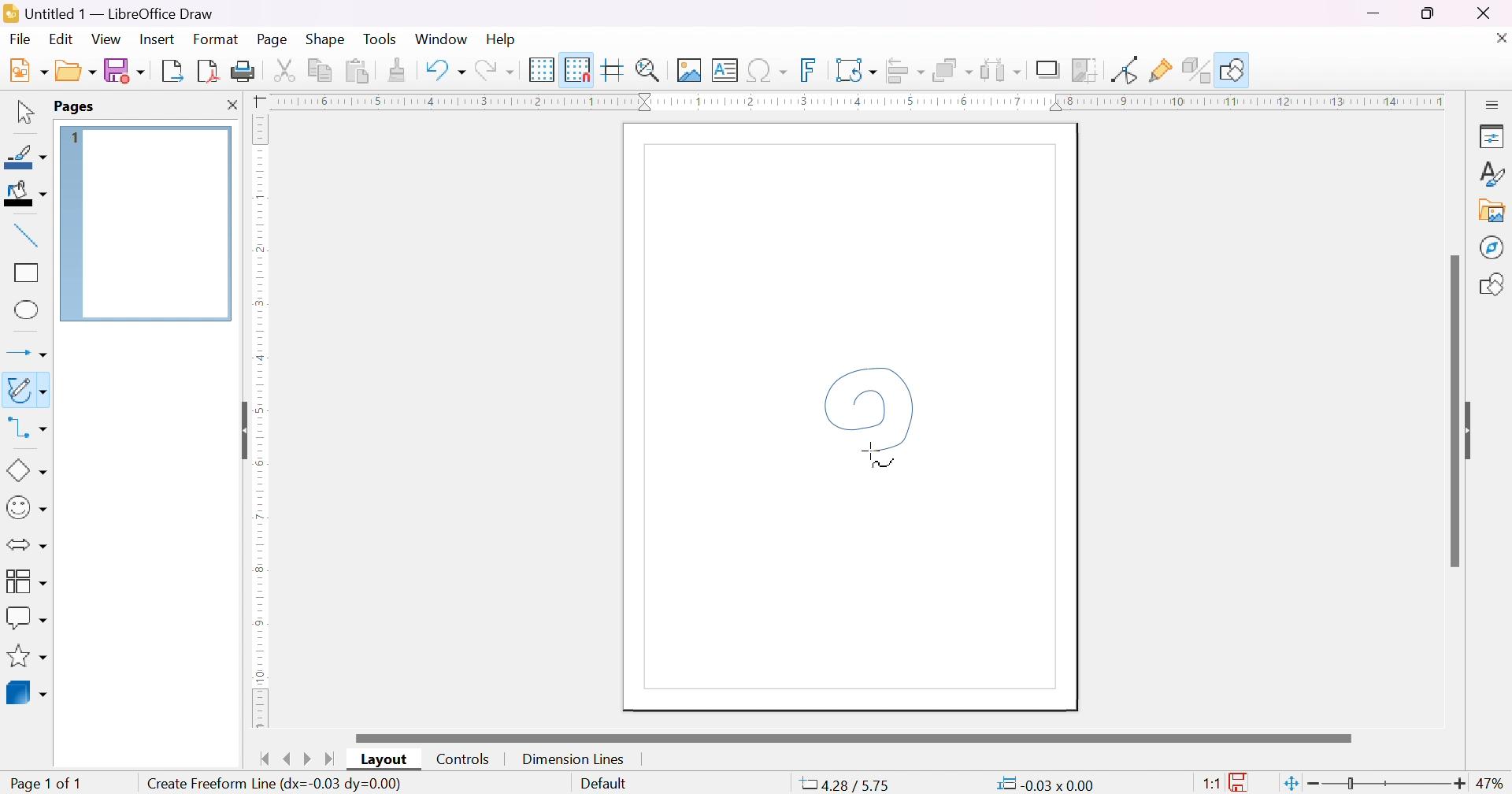 The width and height of the screenshot is (1512, 794). I want to click on page 1, so click(145, 224).